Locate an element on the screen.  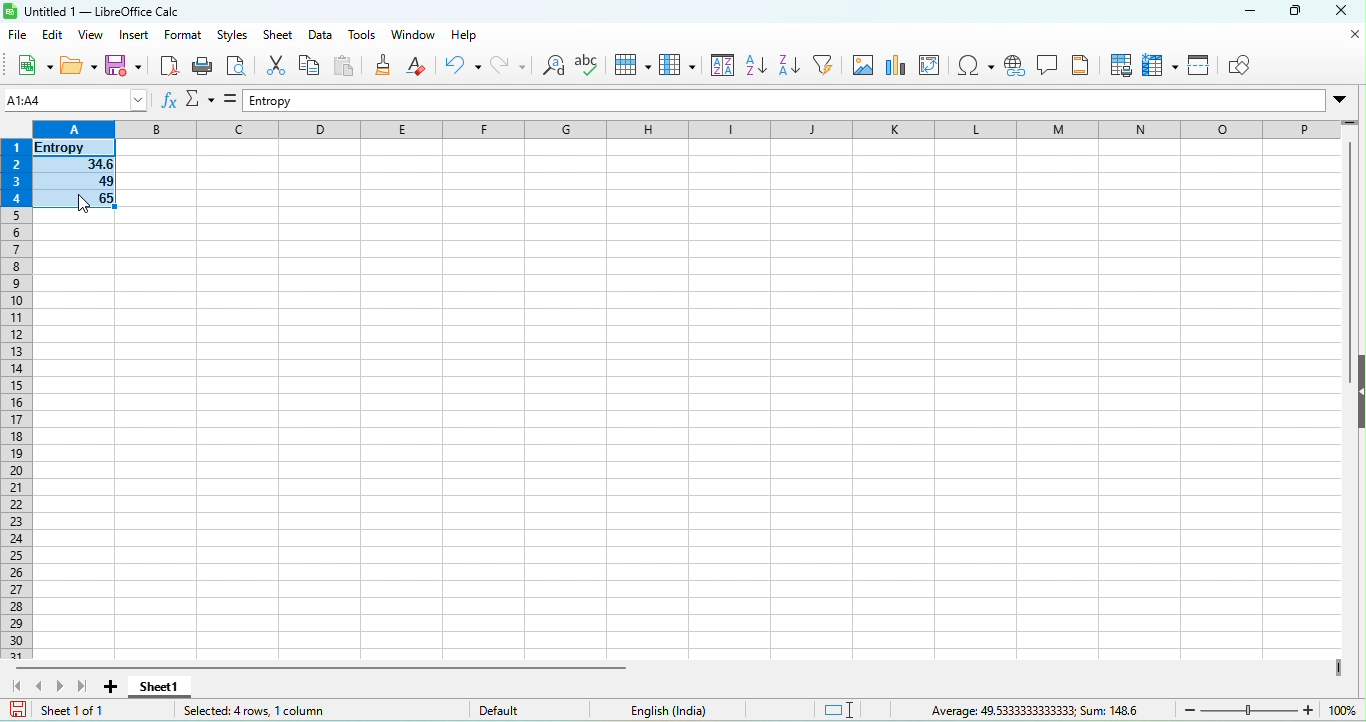
file is located at coordinates (16, 37).